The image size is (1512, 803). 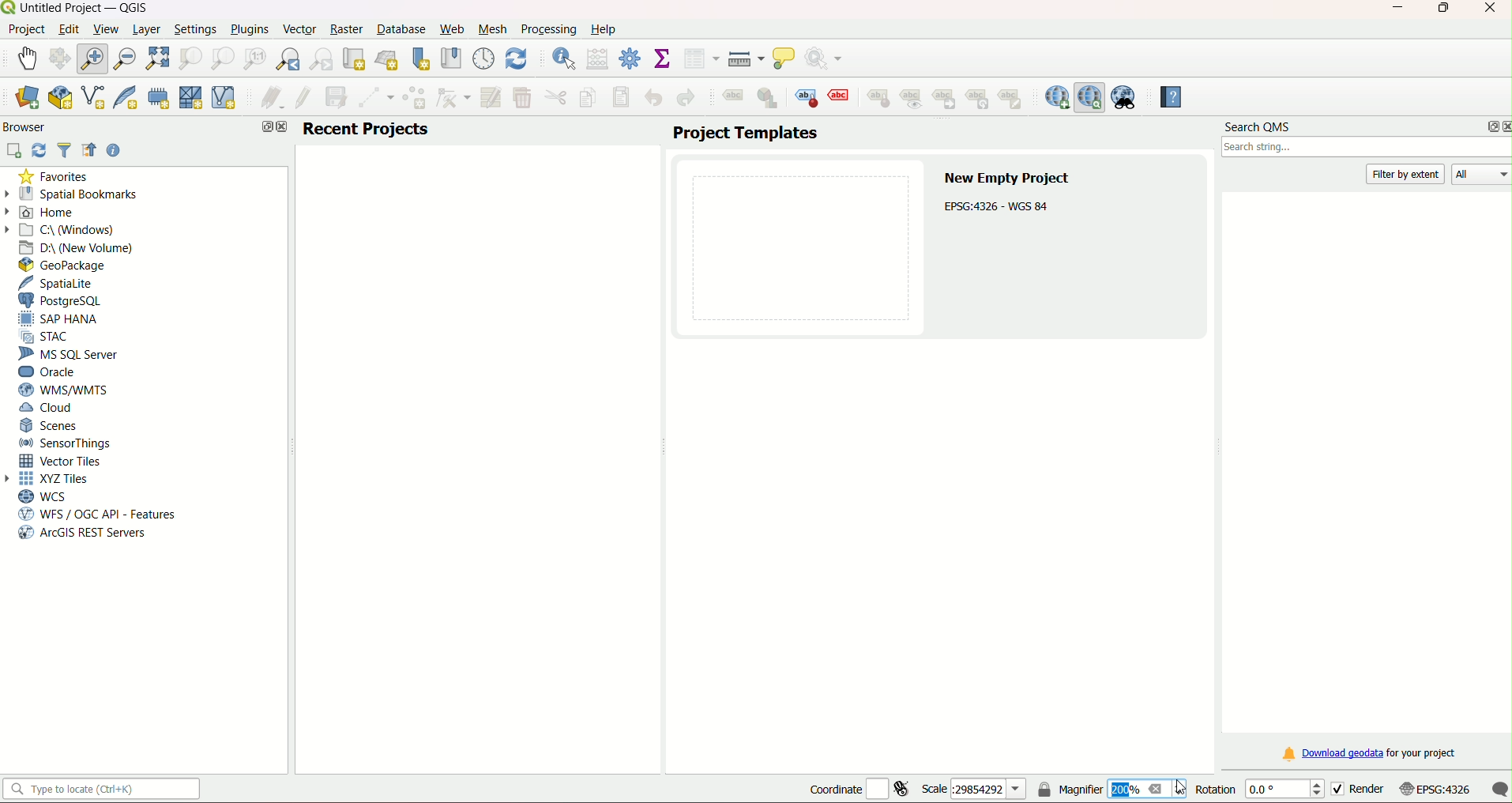 I want to click on show map tip, so click(x=785, y=59).